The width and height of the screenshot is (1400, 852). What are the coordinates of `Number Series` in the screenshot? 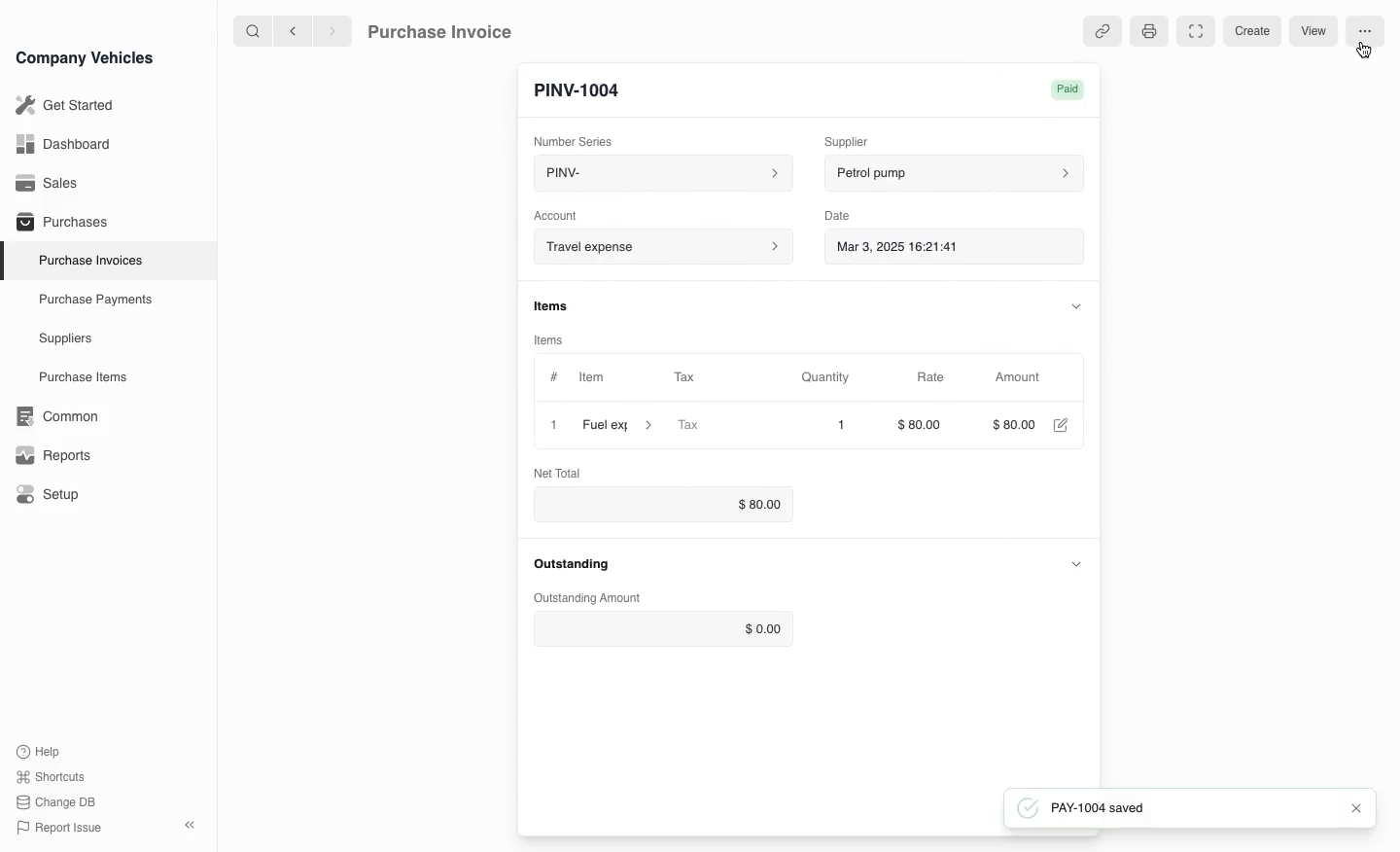 It's located at (584, 136).